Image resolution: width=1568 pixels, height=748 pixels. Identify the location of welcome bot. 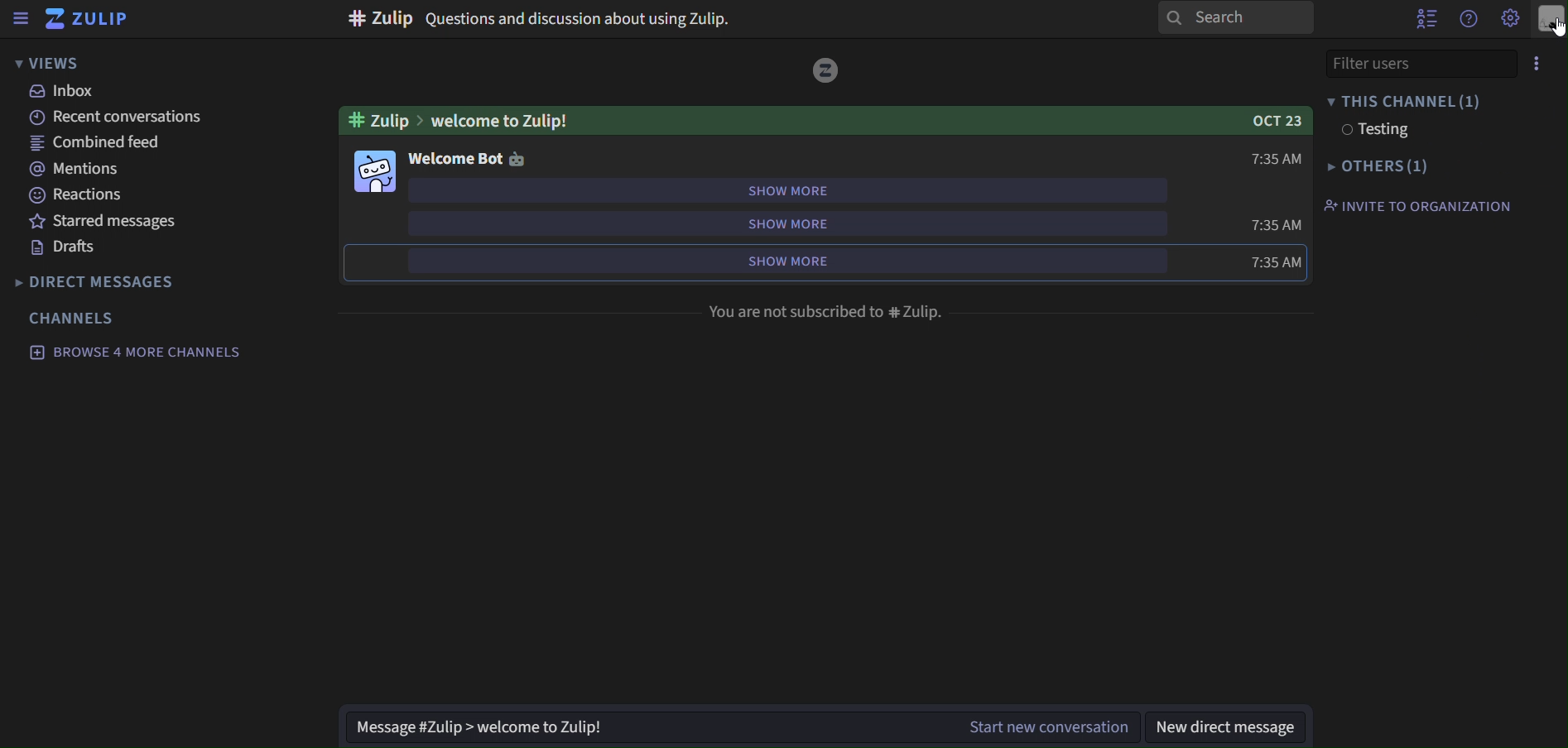
(468, 158).